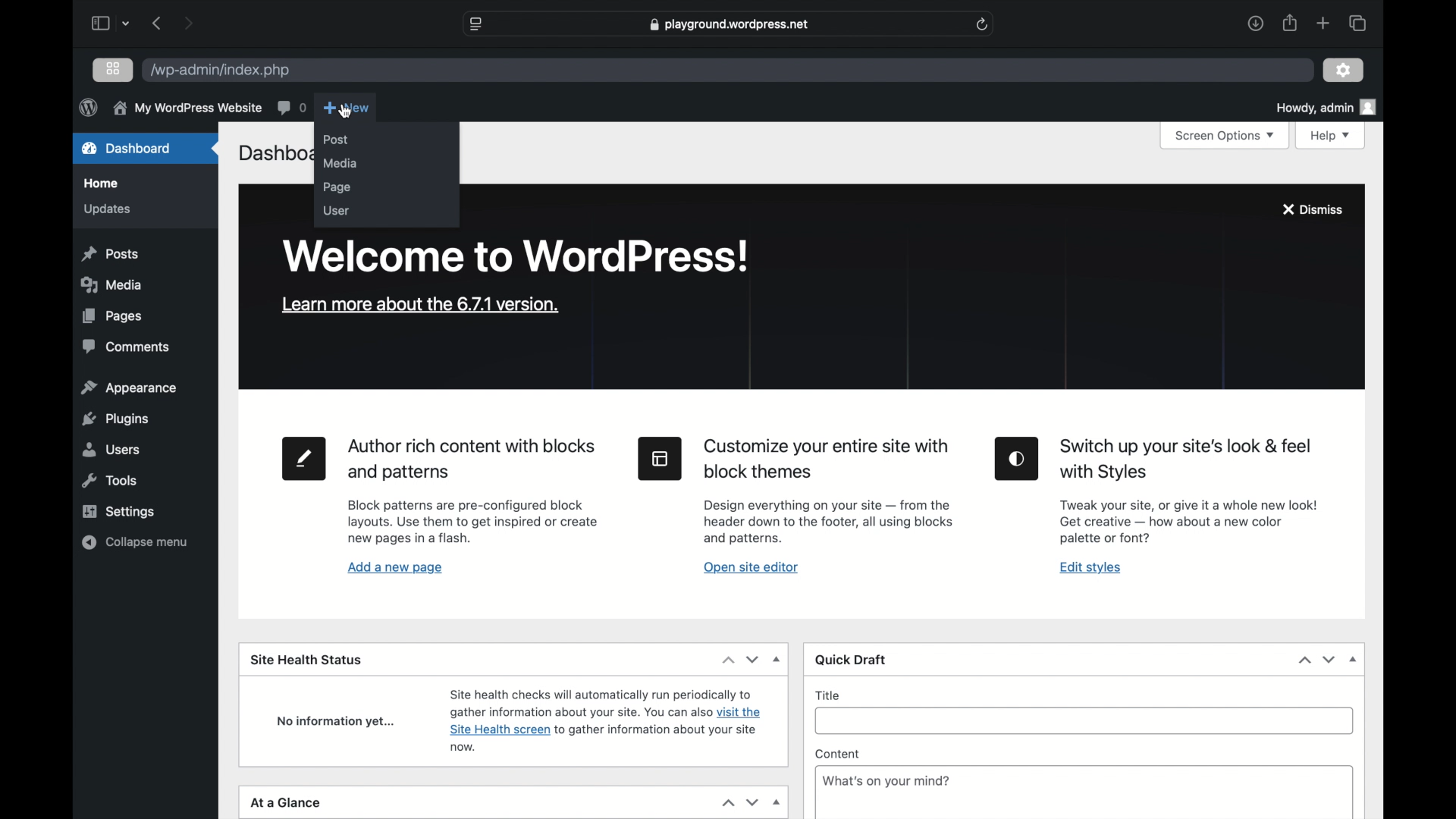  What do you see at coordinates (1318, 660) in the screenshot?
I see `stepper buttons` at bounding box center [1318, 660].